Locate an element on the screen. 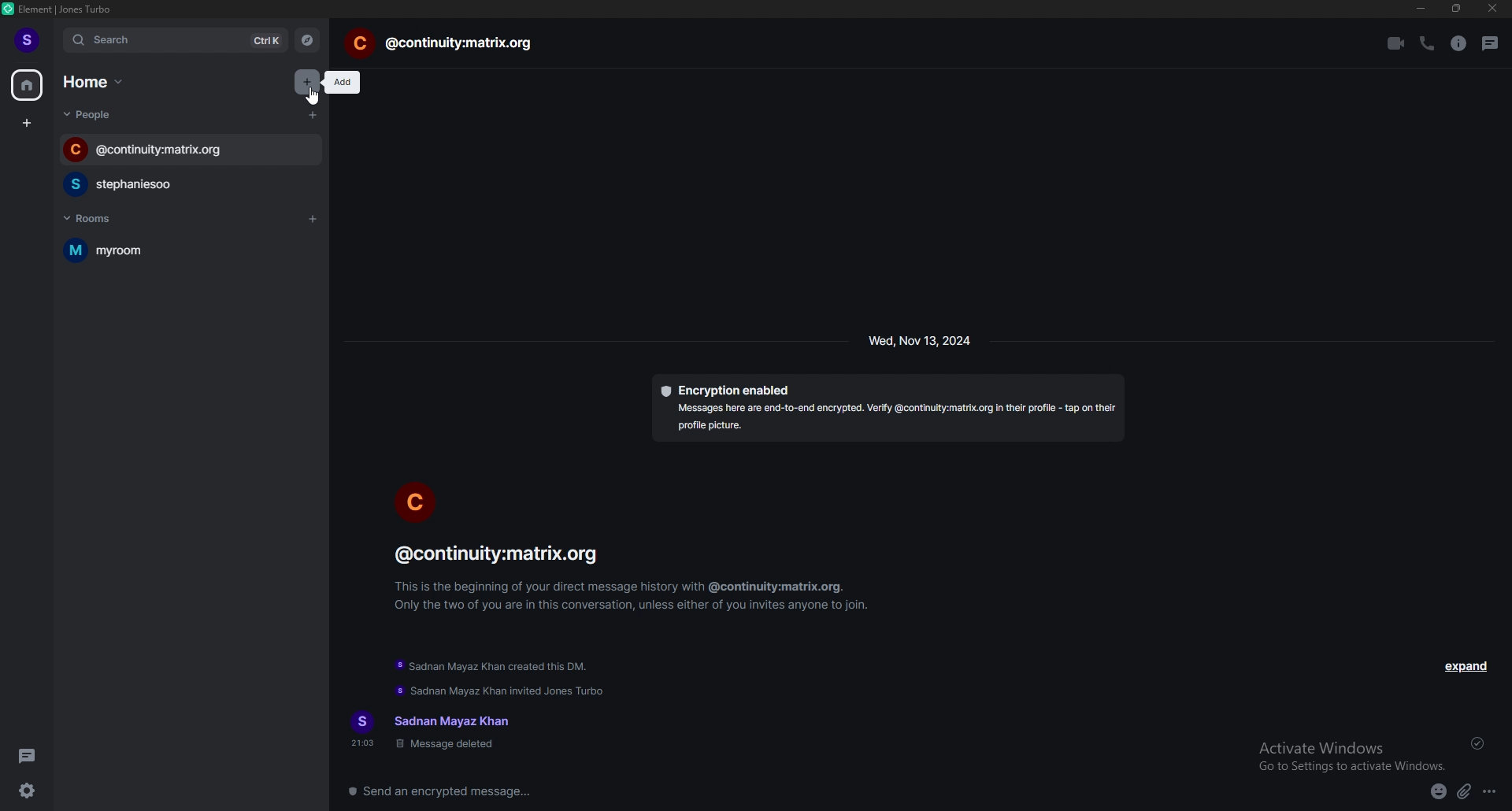 The width and height of the screenshot is (1512, 811). quick settings is located at coordinates (28, 790).